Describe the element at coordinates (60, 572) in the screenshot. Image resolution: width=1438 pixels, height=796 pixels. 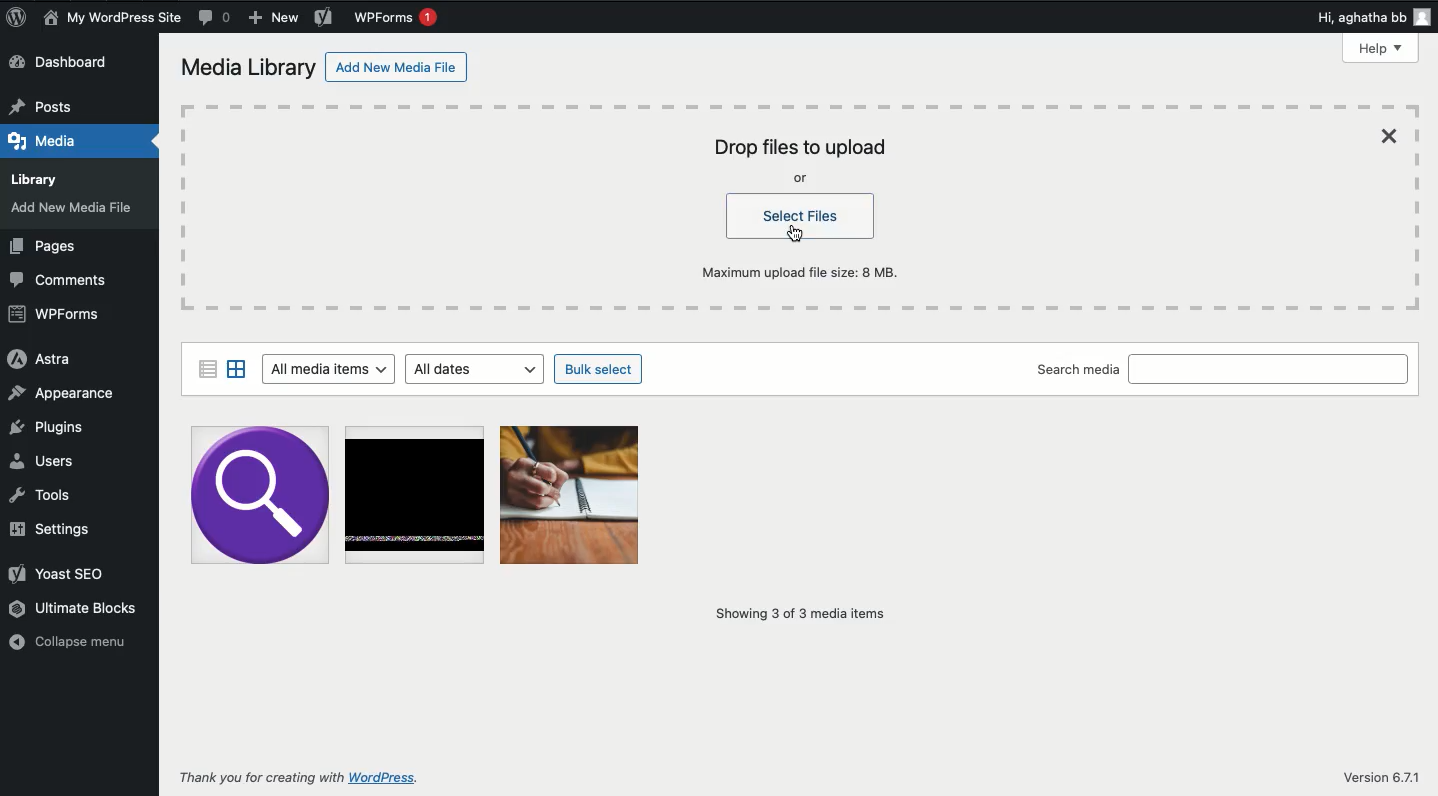
I see `Yoast SEO` at that location.